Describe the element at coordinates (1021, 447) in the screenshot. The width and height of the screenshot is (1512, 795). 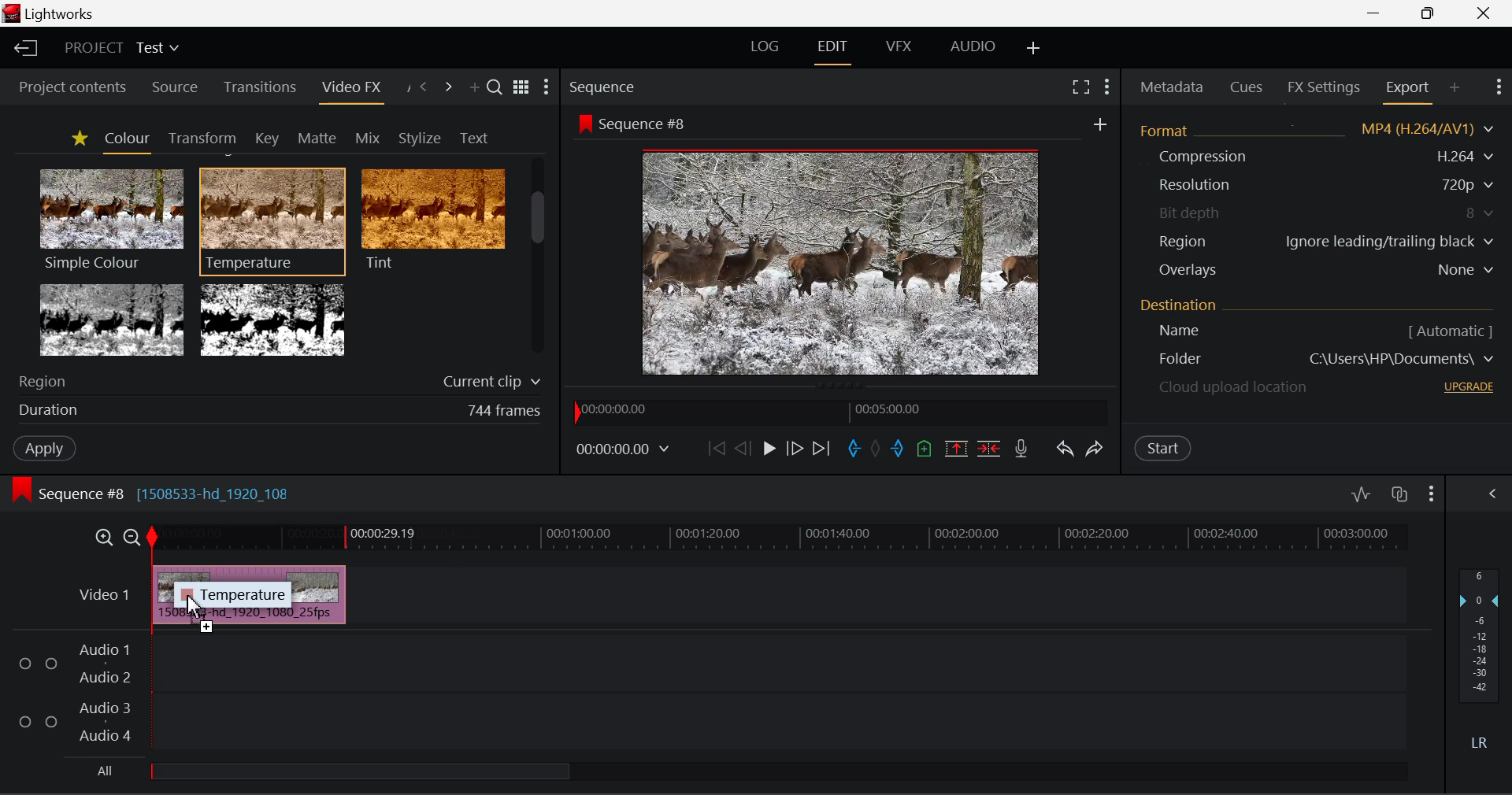
I see `Record Voiceover` at that location.